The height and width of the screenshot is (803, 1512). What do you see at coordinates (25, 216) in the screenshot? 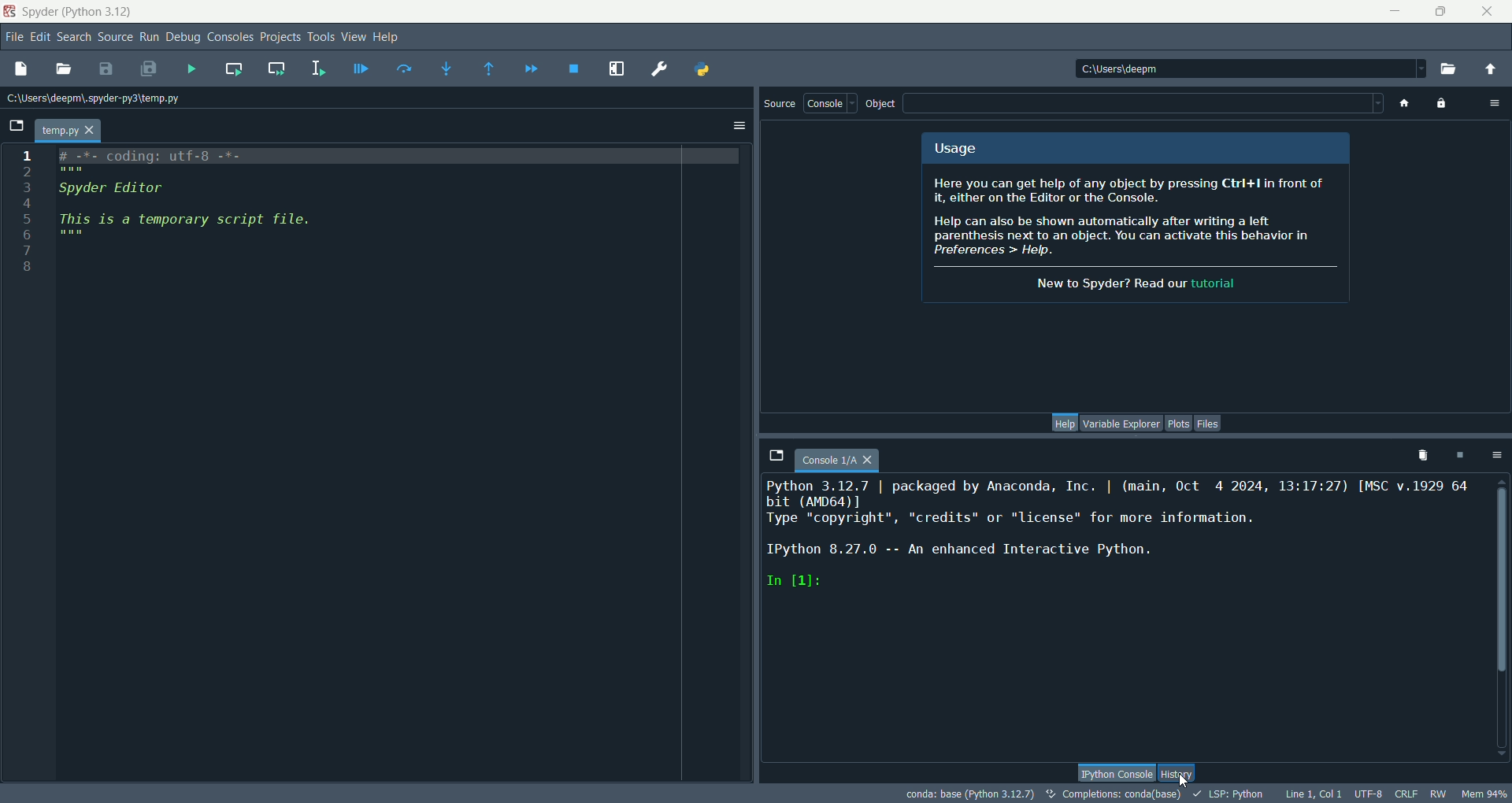
I see `line number` at bounding box center [25, 216].